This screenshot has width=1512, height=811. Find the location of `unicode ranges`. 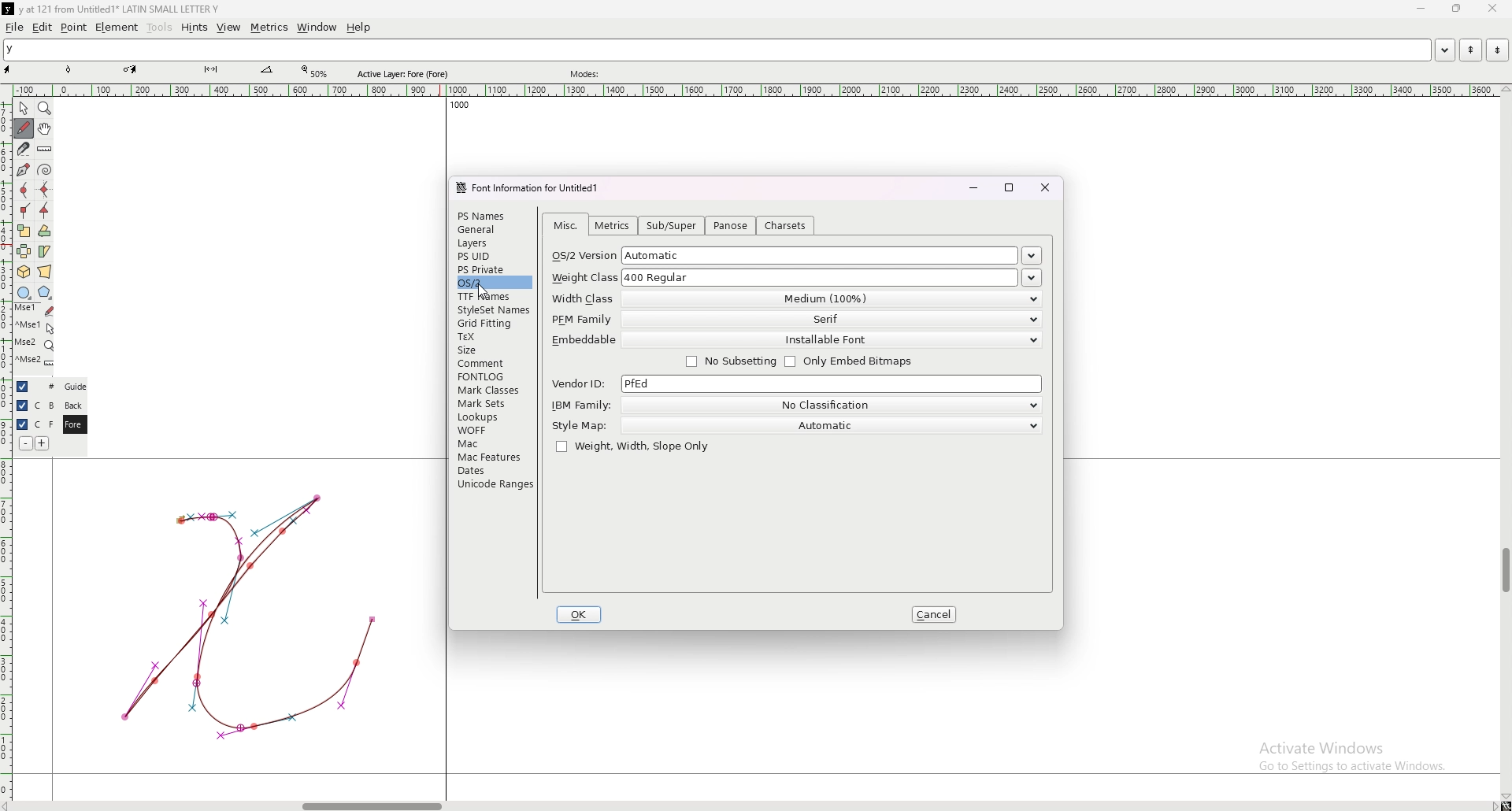

unicode ranges is located at coordinates (494, 483).